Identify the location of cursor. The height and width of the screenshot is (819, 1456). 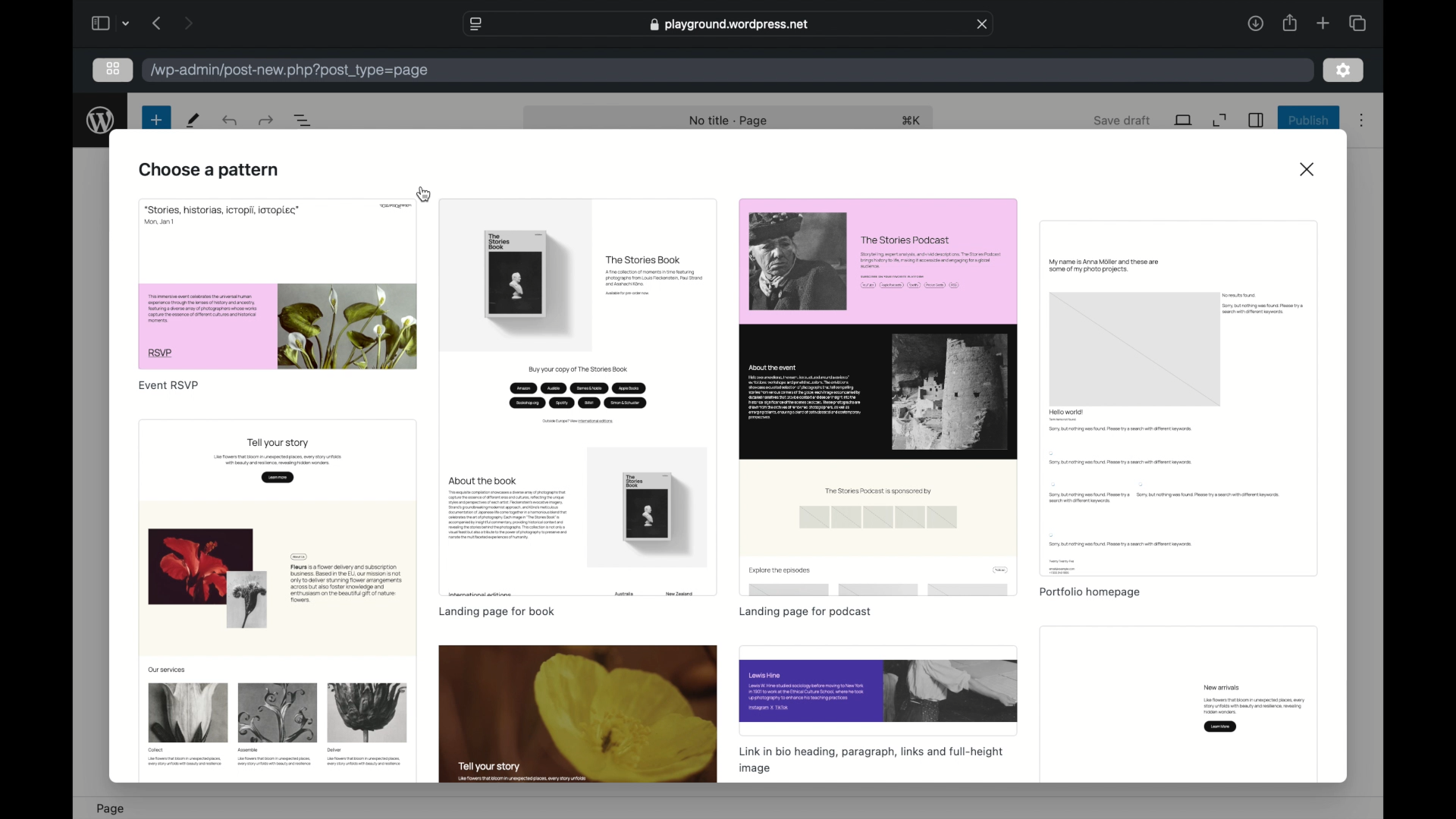
(425, 194).